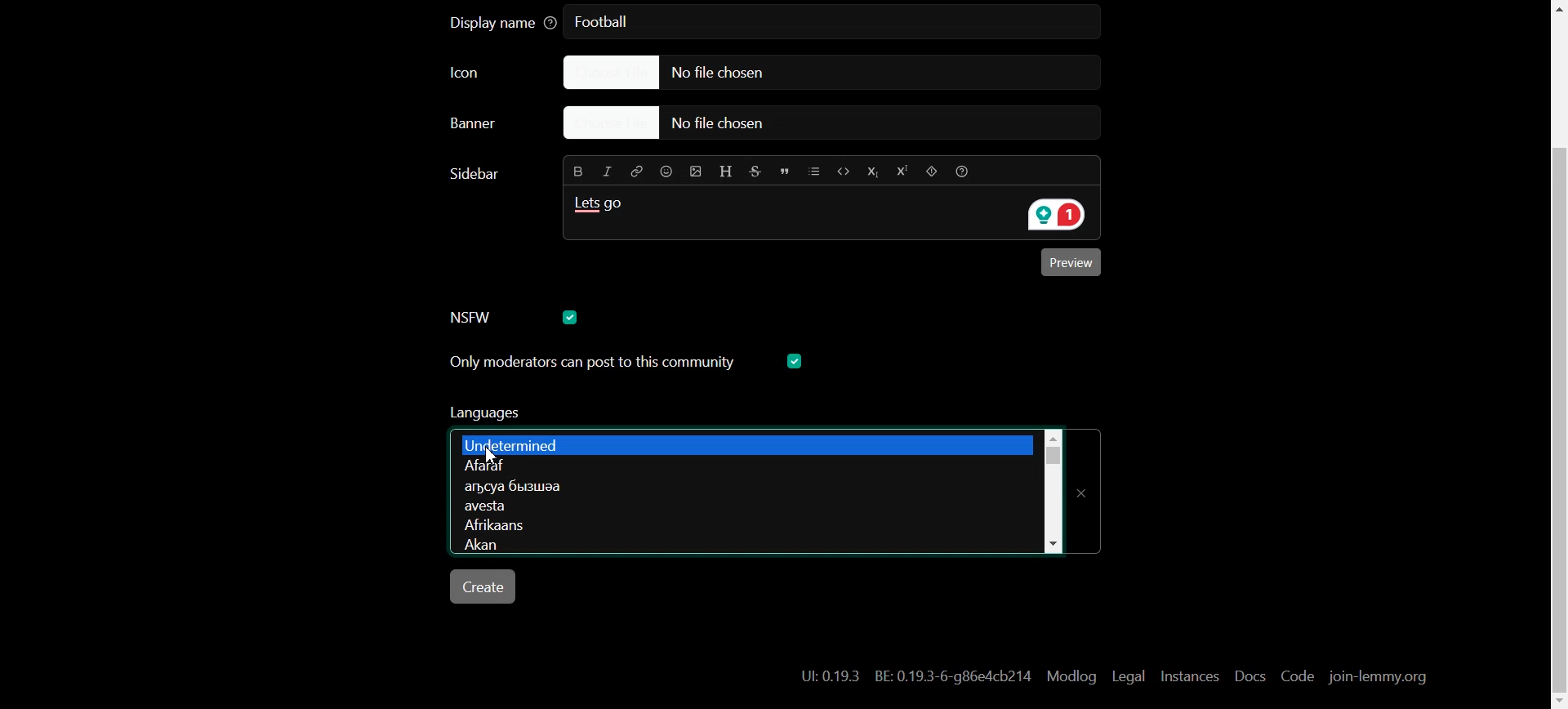 Image resolution: width=1568 pixels, height=709 pixels. Describe the element at coordinates (1071, 676) in the screenshot. I see `Modlog` at that location.